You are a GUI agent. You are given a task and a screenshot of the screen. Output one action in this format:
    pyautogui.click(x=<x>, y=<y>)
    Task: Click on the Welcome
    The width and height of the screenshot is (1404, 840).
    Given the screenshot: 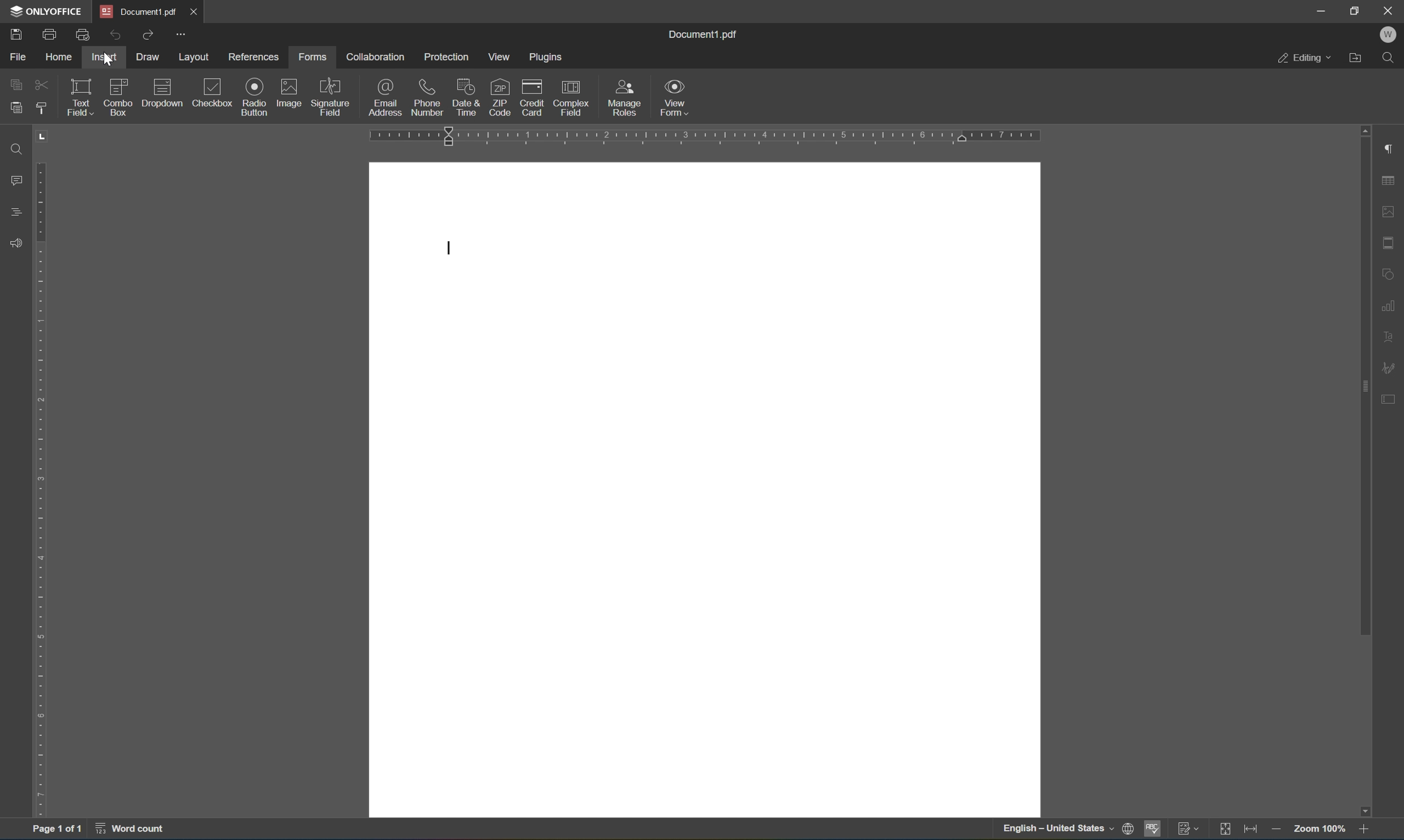 What is the action you would take?
    pyautogui.click(x=1390, y=36)
    